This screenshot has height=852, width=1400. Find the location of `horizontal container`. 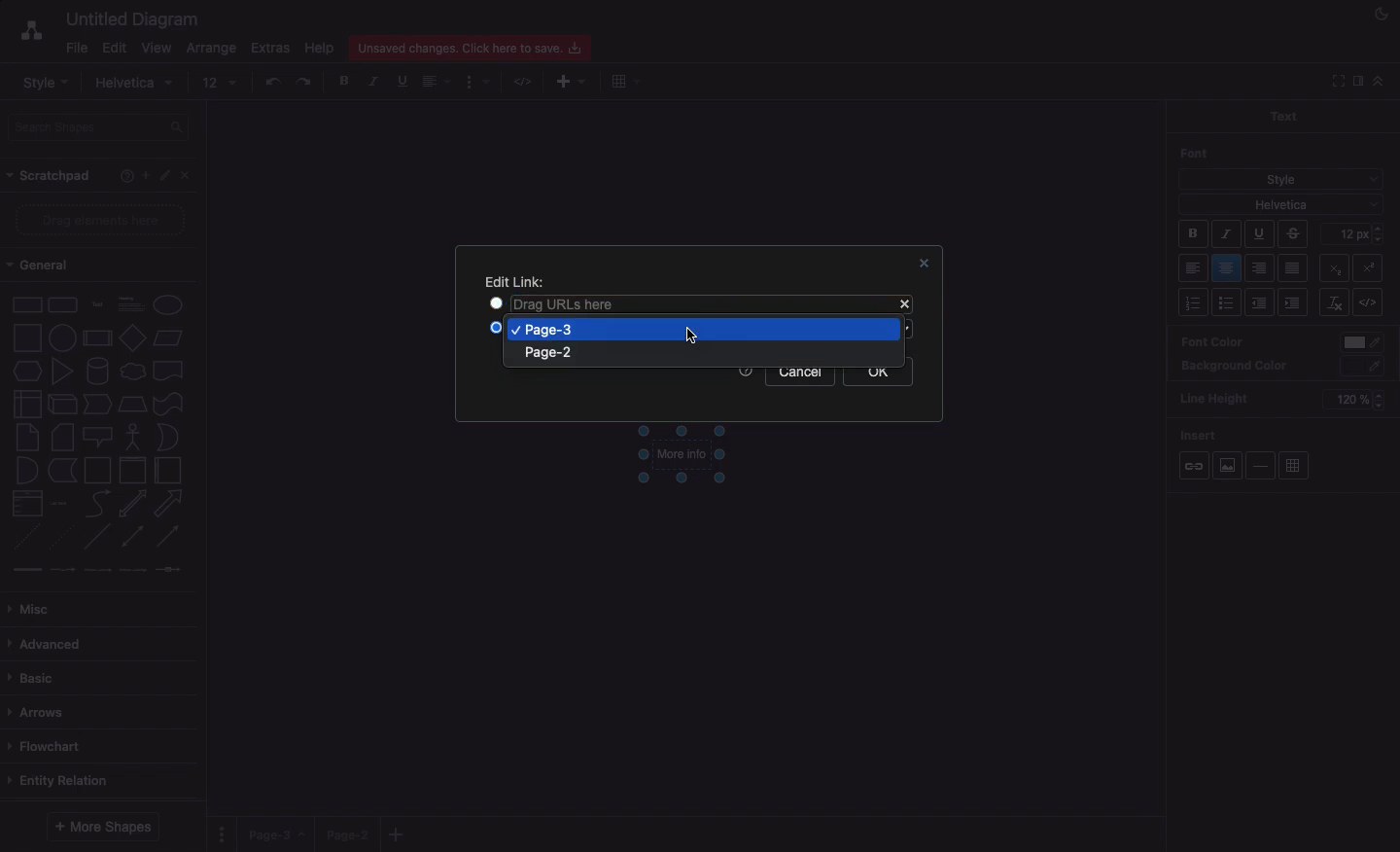

horizontal container is located at coordinates (168, 470).